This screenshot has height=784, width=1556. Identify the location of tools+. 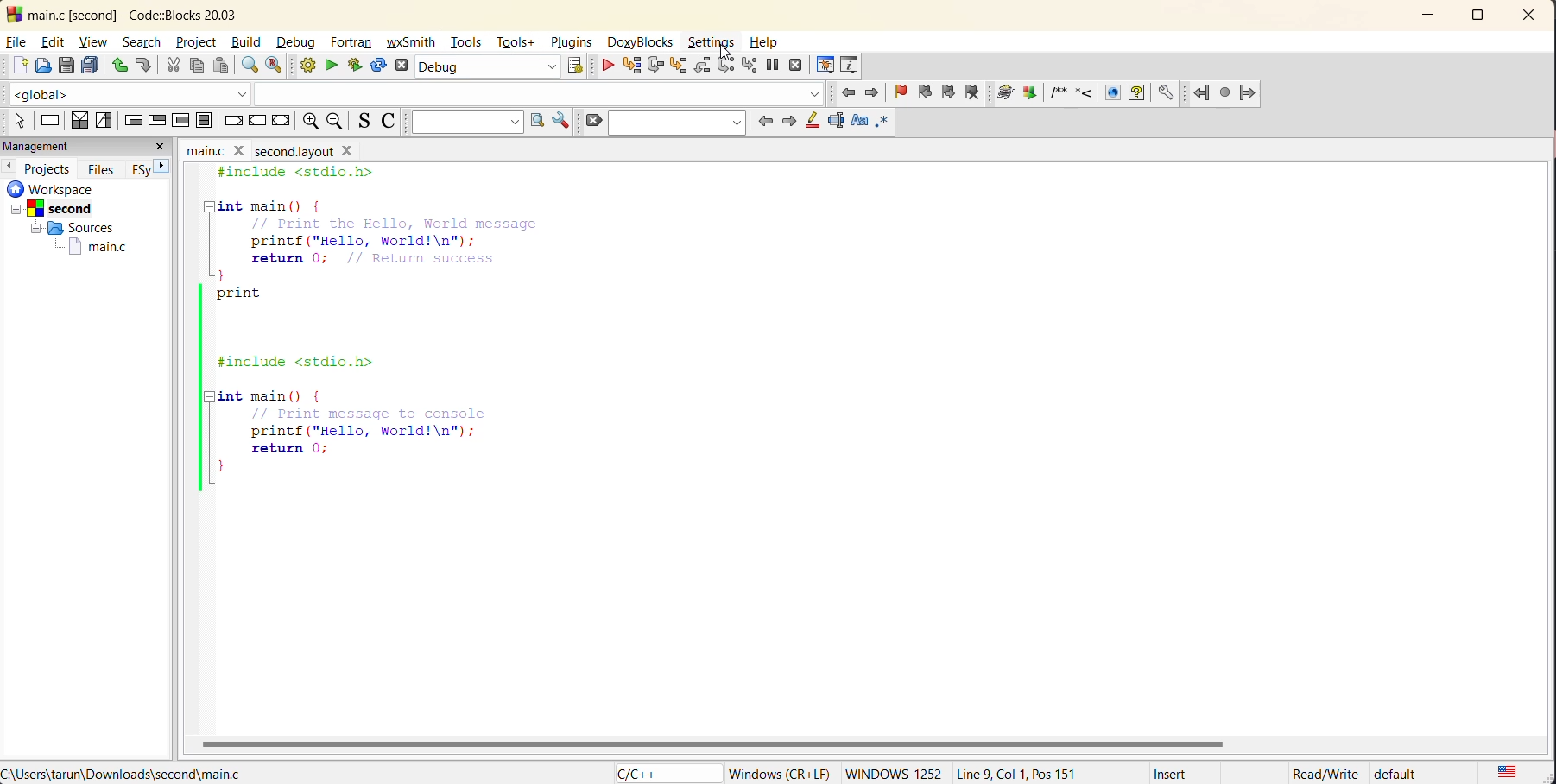
(517, 41).